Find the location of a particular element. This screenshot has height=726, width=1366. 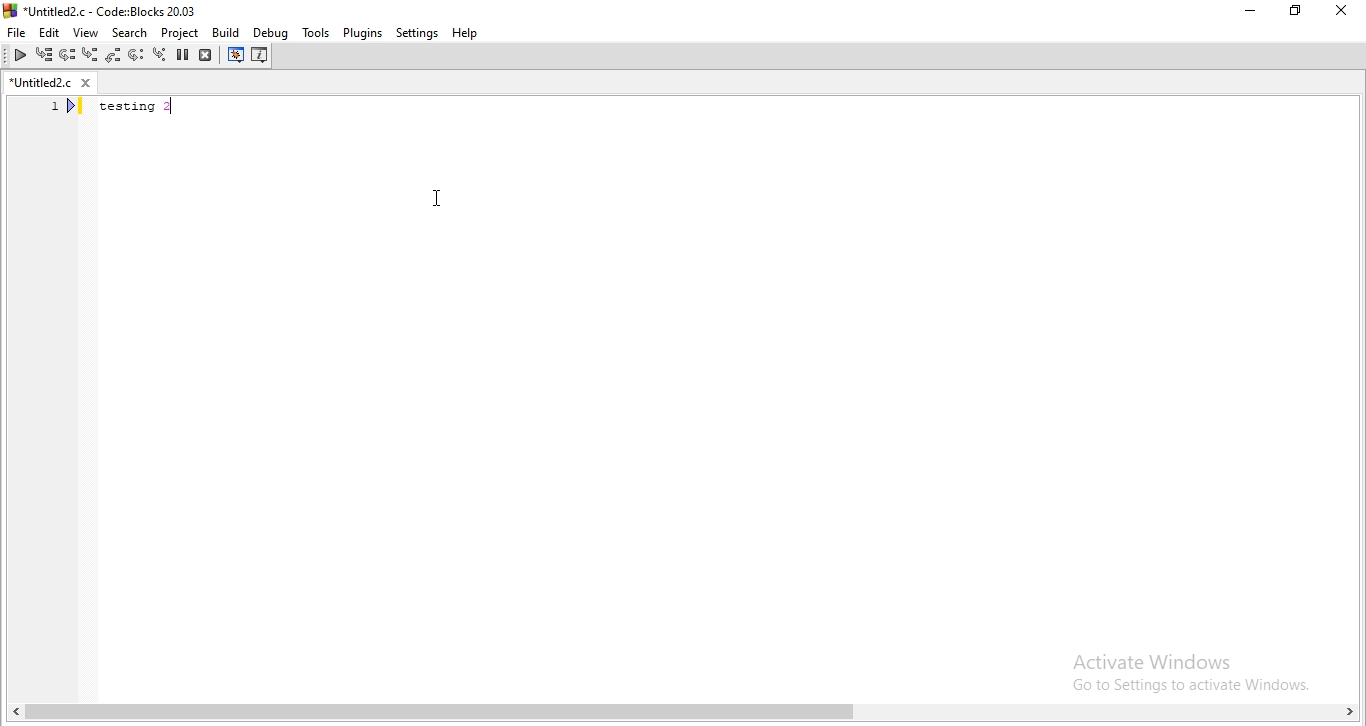

View  is located at coordinates (81, 34).